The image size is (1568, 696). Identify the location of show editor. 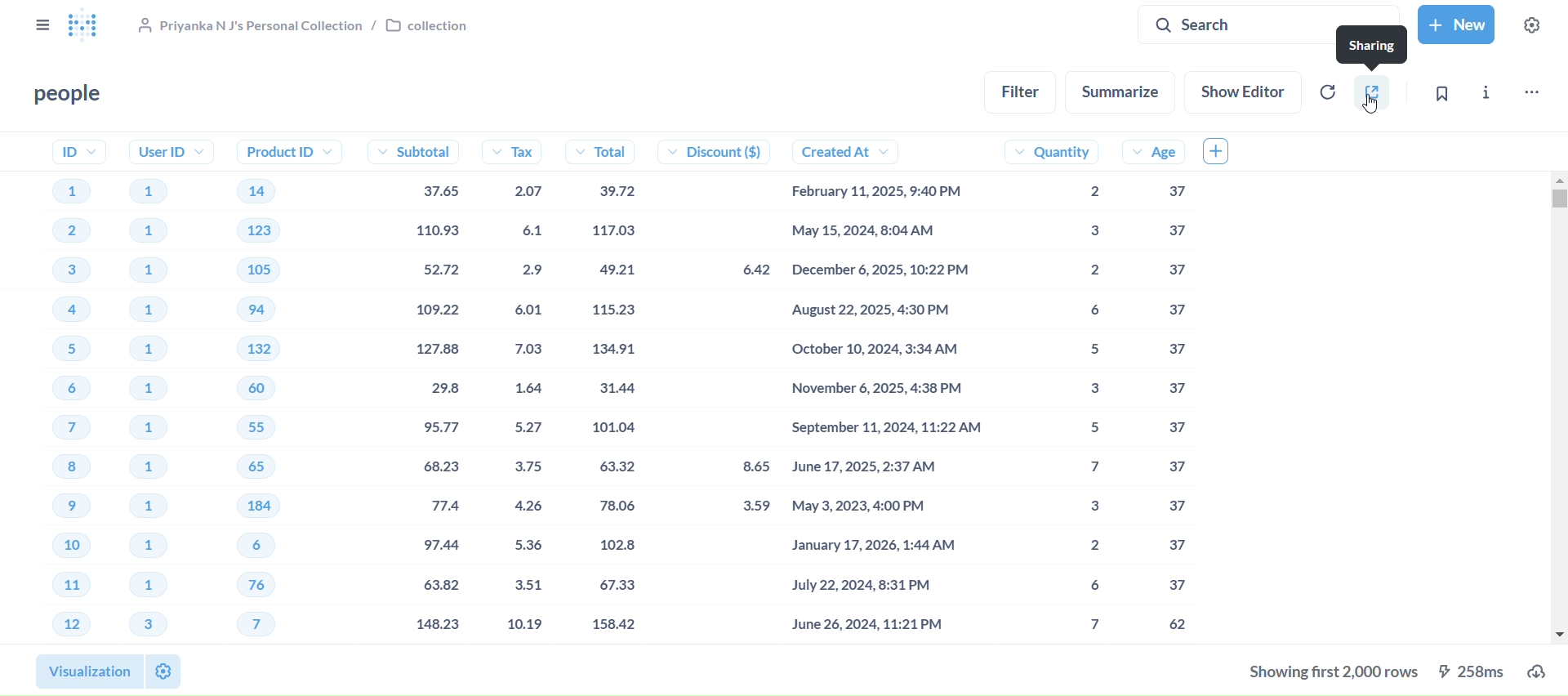
(1243, 92).